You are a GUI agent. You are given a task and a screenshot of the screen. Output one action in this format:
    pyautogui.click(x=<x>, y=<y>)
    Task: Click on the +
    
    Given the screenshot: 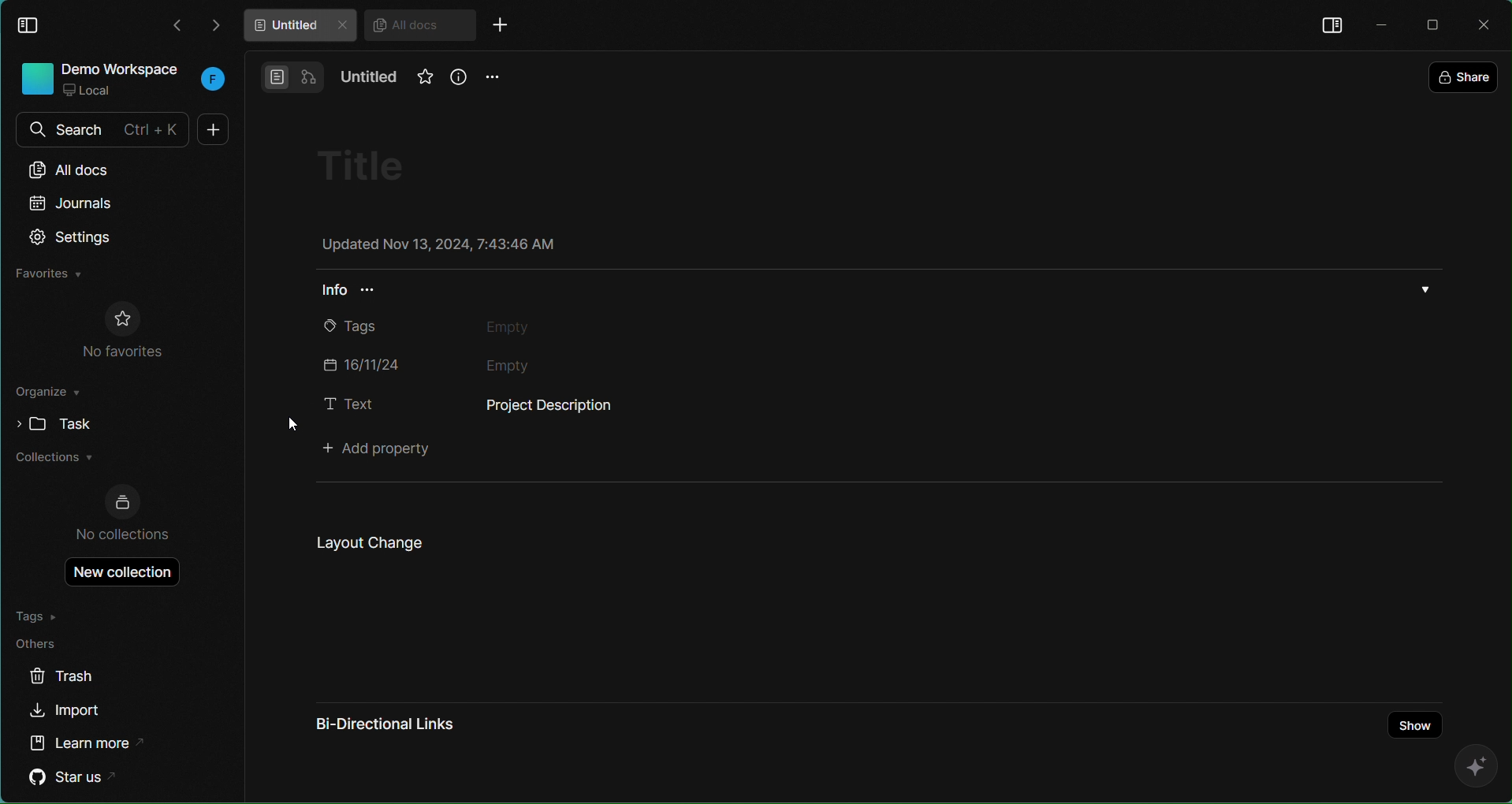 What is the action you would take?
    pyautogui.click(x=507, y=27)
    